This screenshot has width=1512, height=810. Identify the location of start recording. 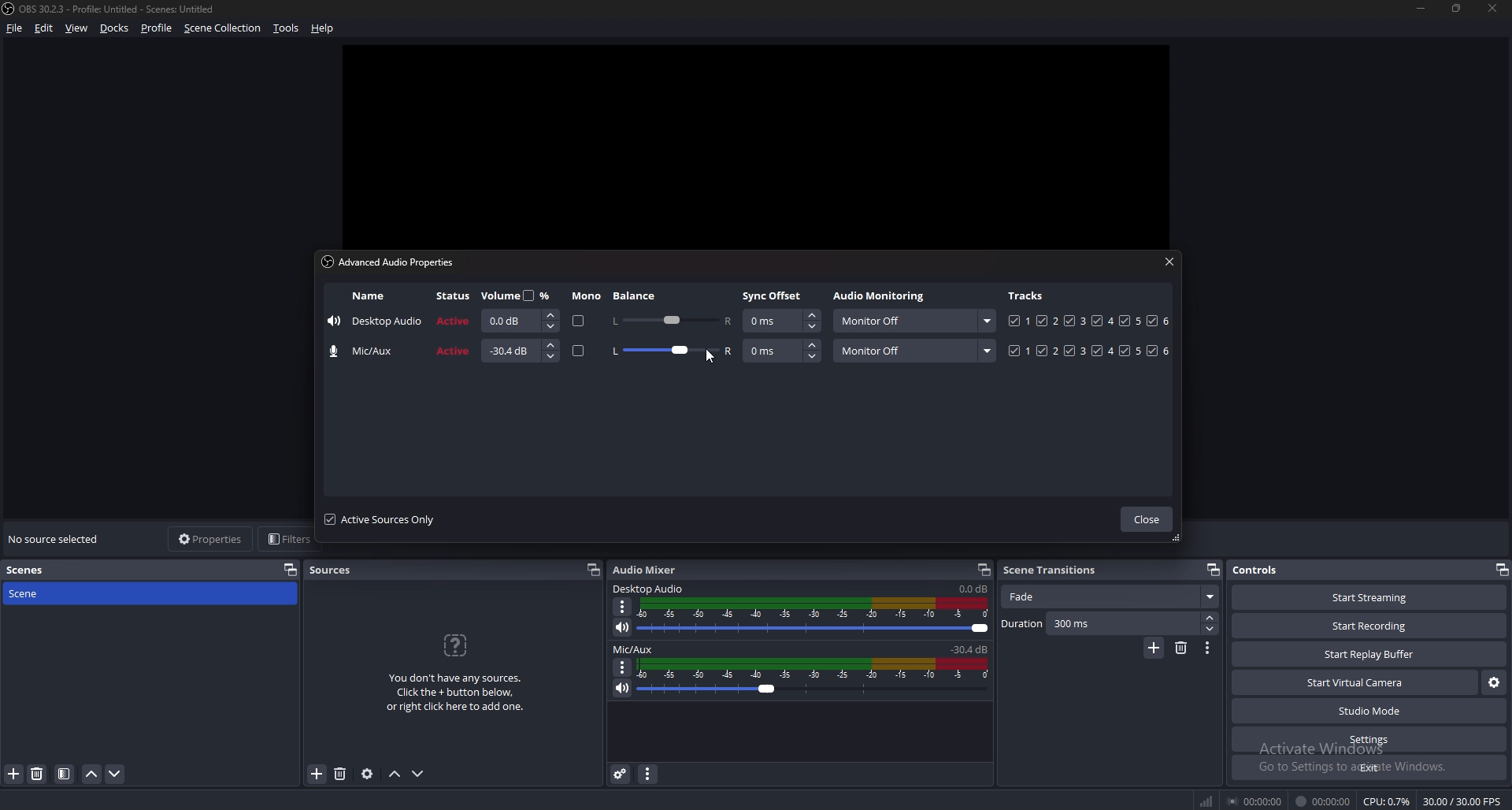
(1370, 626).